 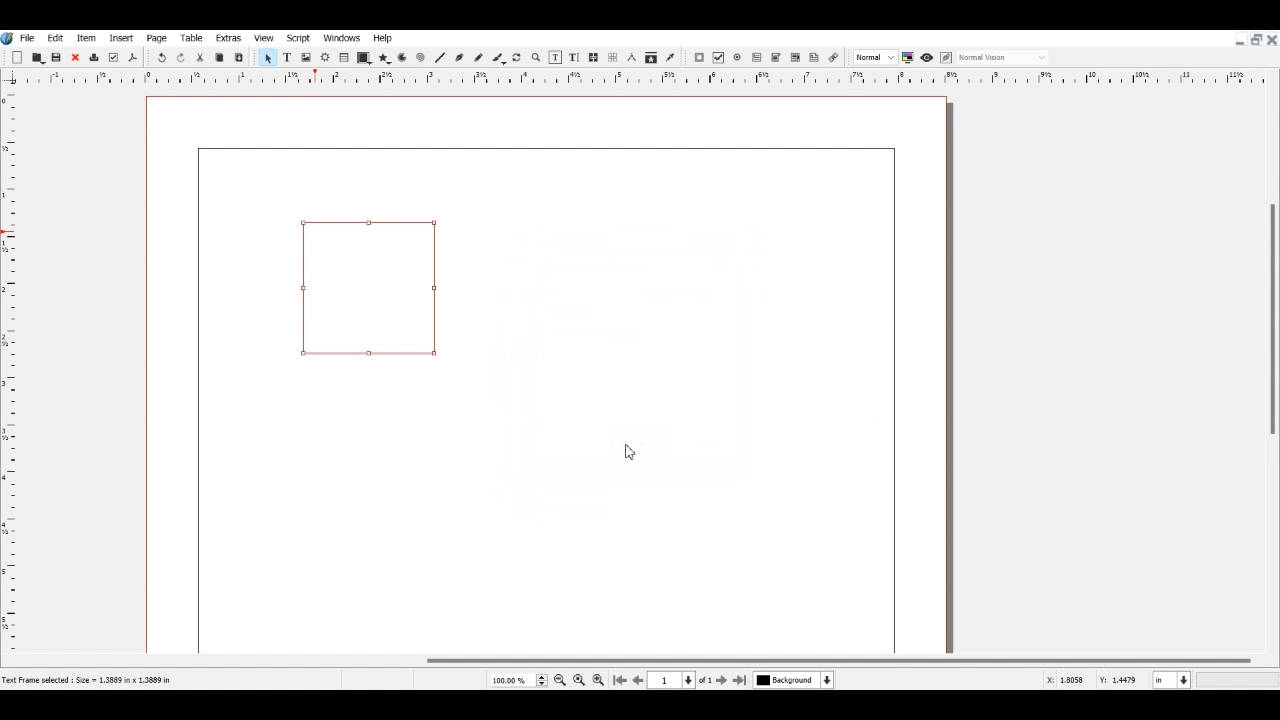 What do you see at coordinates (795, 58) in the screenshot?
I see `PDF List Box` at bounding box center [795, 58].